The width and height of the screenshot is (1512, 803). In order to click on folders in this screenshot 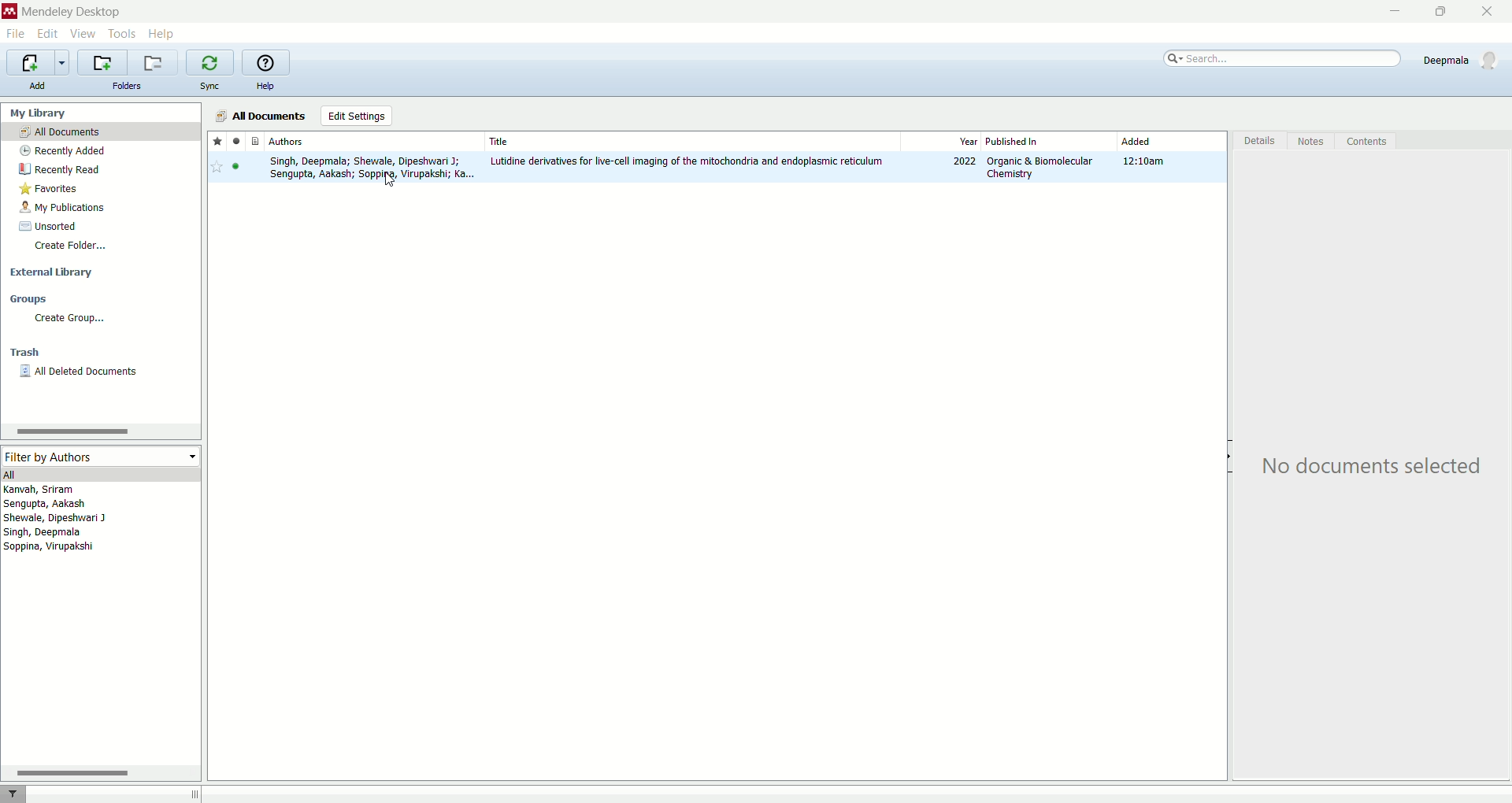, I will do `click(126, 86)`.